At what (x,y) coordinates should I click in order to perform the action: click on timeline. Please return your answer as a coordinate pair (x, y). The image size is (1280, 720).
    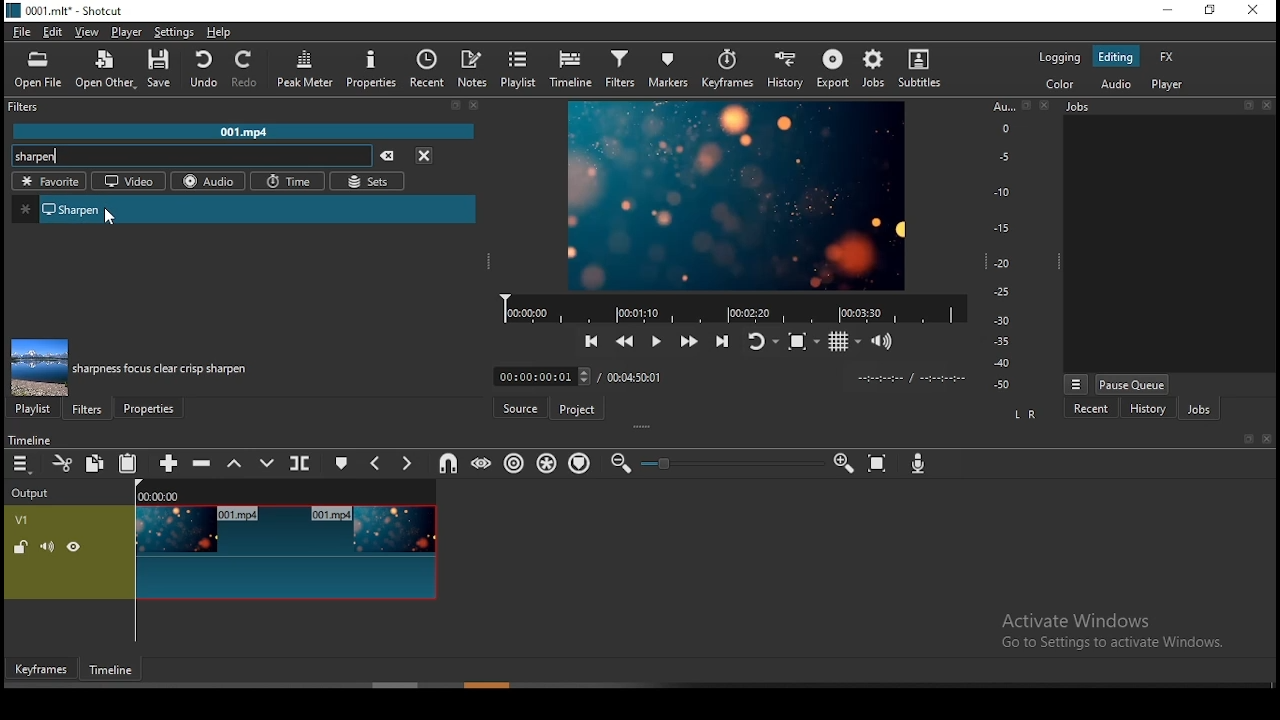
    Looking at the image, I should click on (31, 437).